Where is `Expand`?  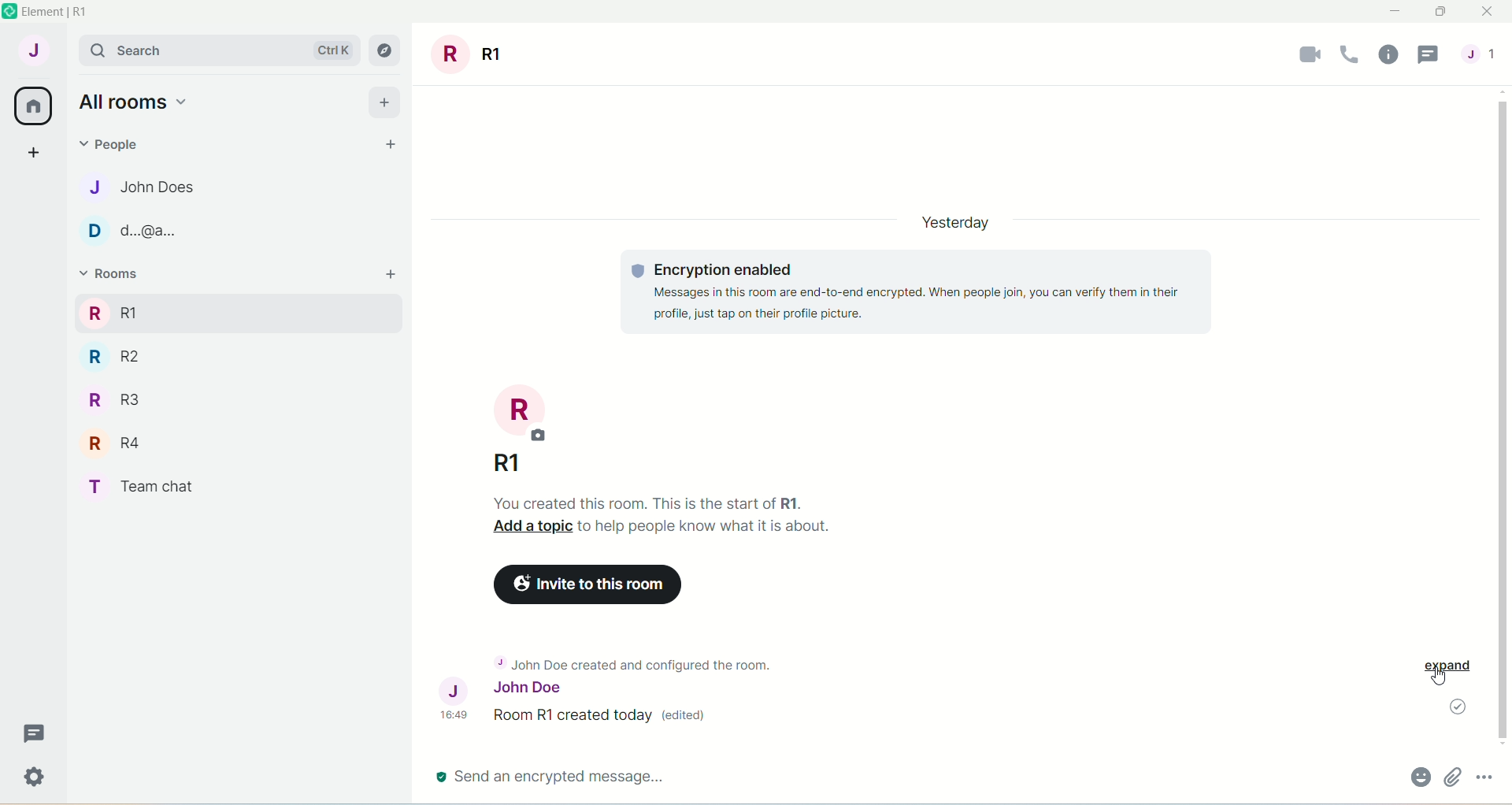
Expand is located at coordinates (1446, 664).